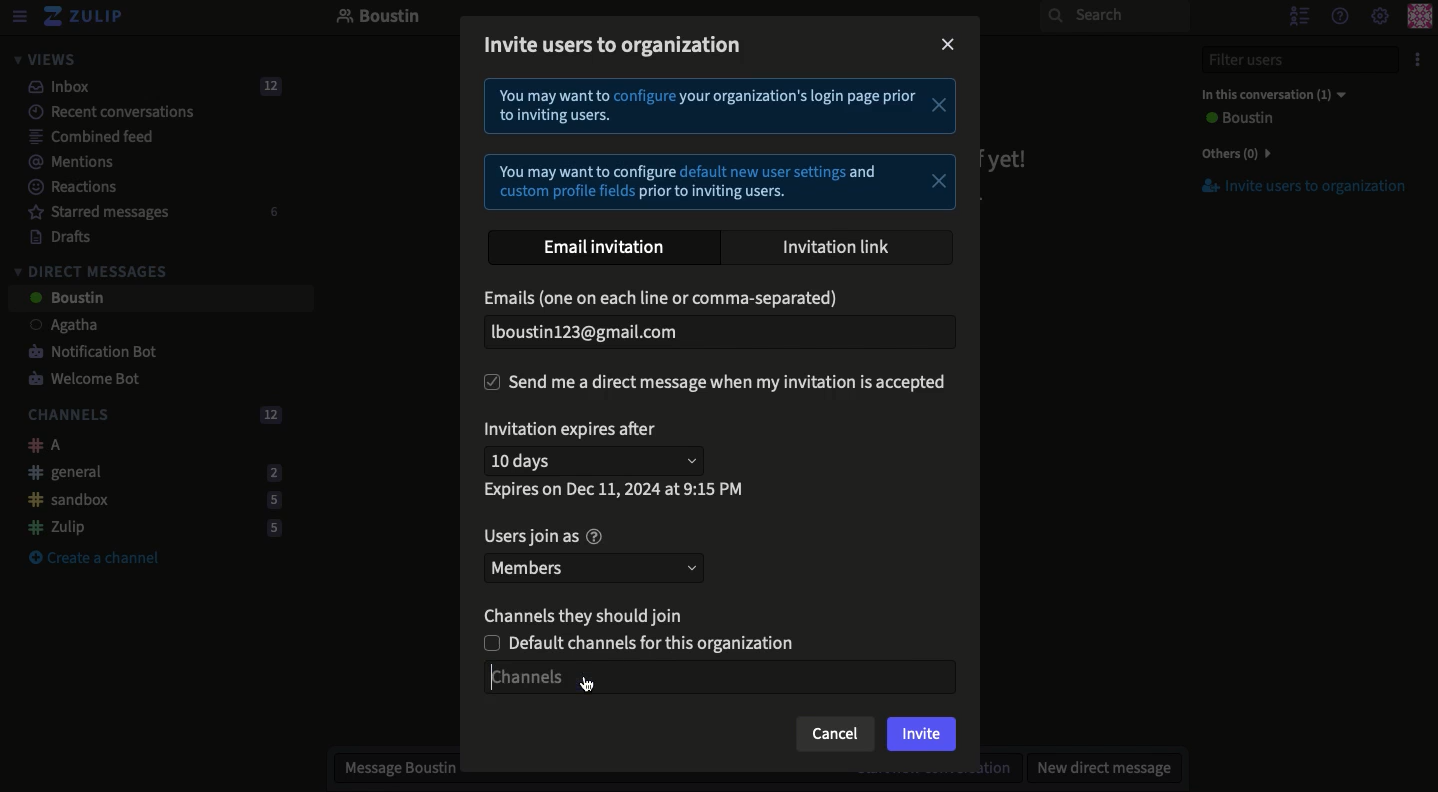 This screenshot has height=792, width=1438. I want to click on Zulip, so click(148, 527).